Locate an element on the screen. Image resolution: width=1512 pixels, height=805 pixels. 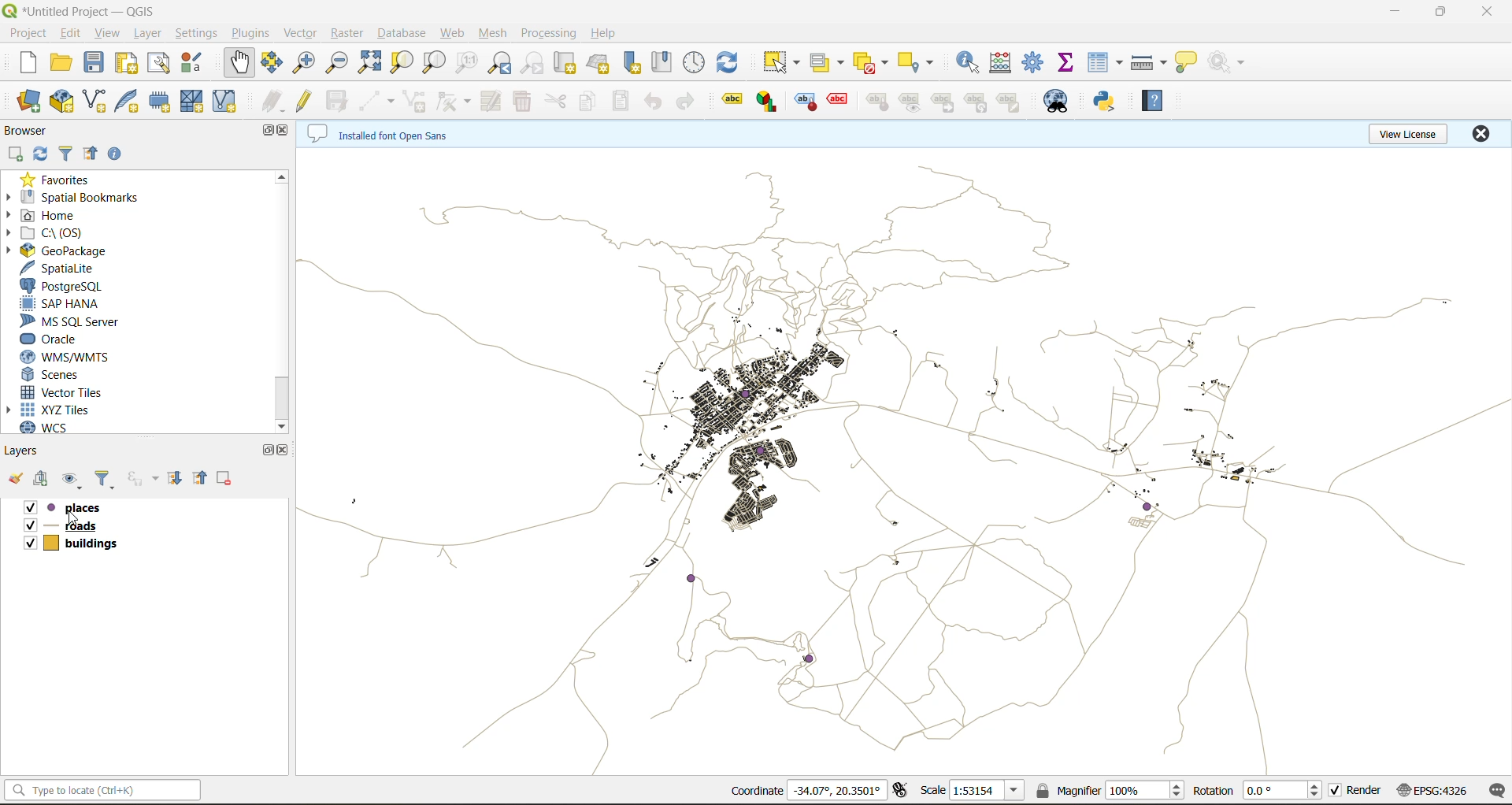
toolbox is located at coordinates (1036, 64).